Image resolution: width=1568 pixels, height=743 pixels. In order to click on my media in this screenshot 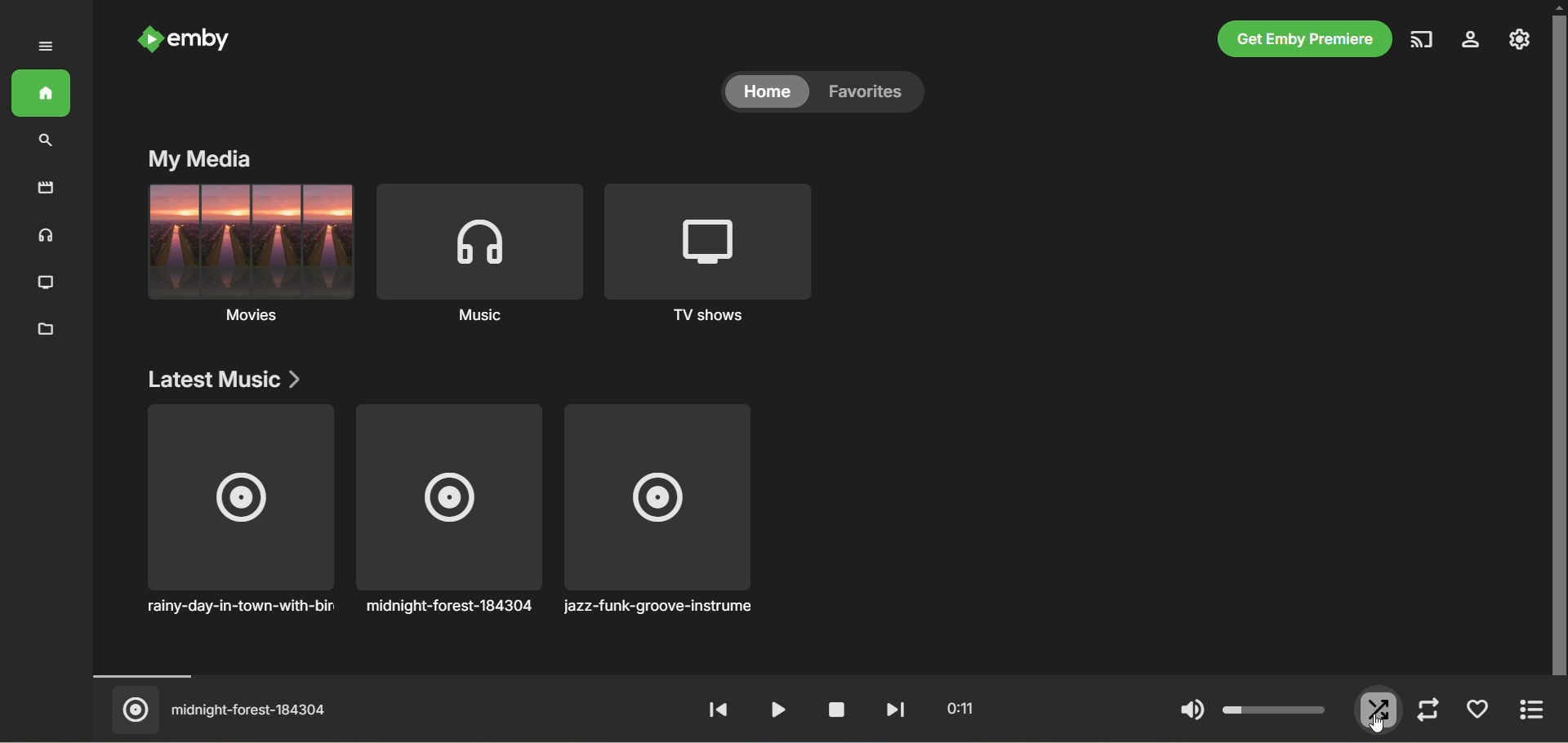, I will do `click(203, 160)`.